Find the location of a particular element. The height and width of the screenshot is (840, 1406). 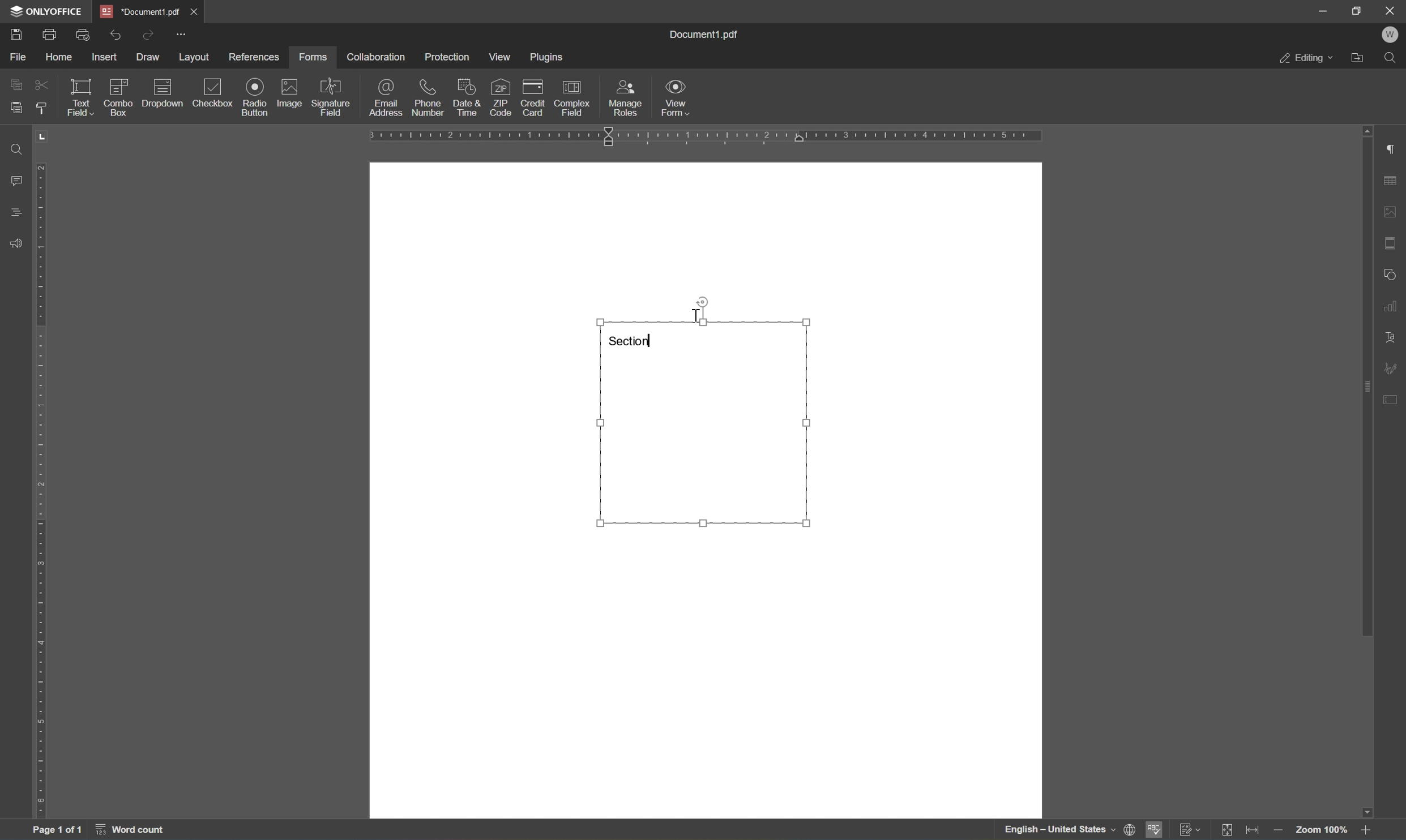

form settings is located at coordinates (1394, 398).